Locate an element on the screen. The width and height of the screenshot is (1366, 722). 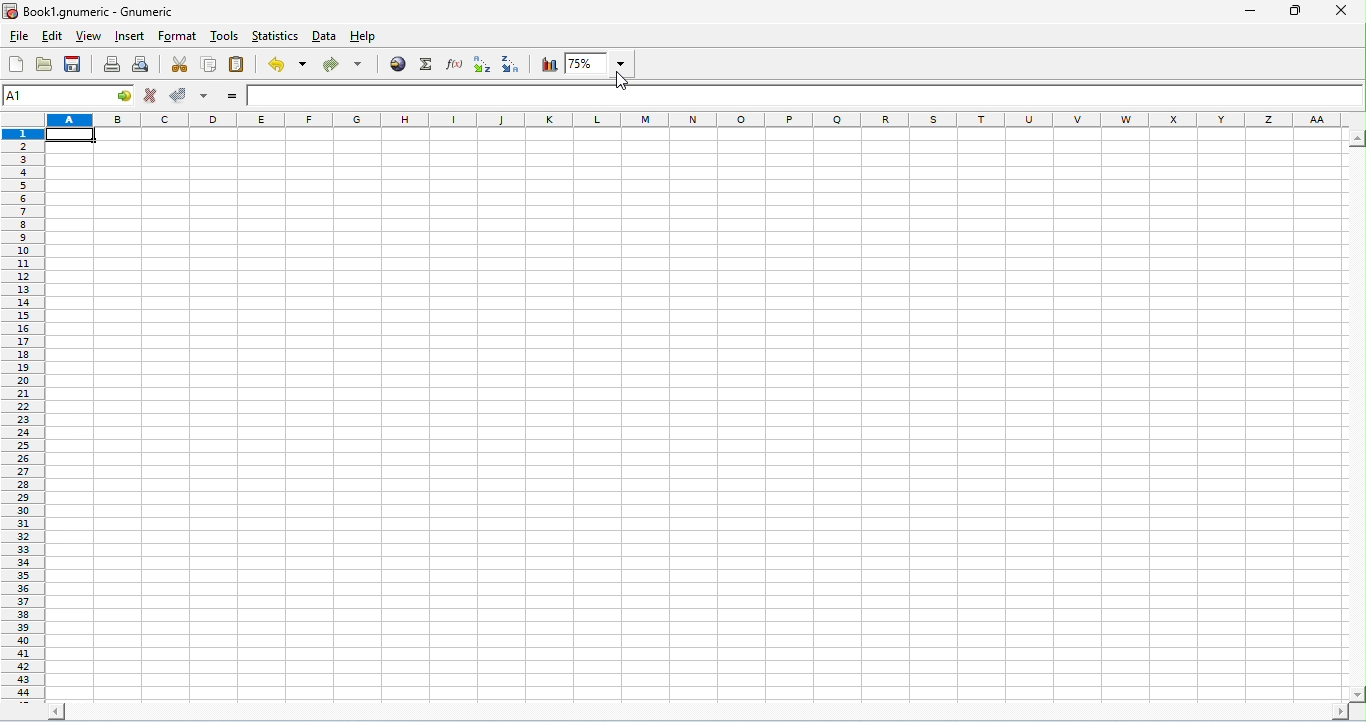
75% is located at coordinates (599, 63).